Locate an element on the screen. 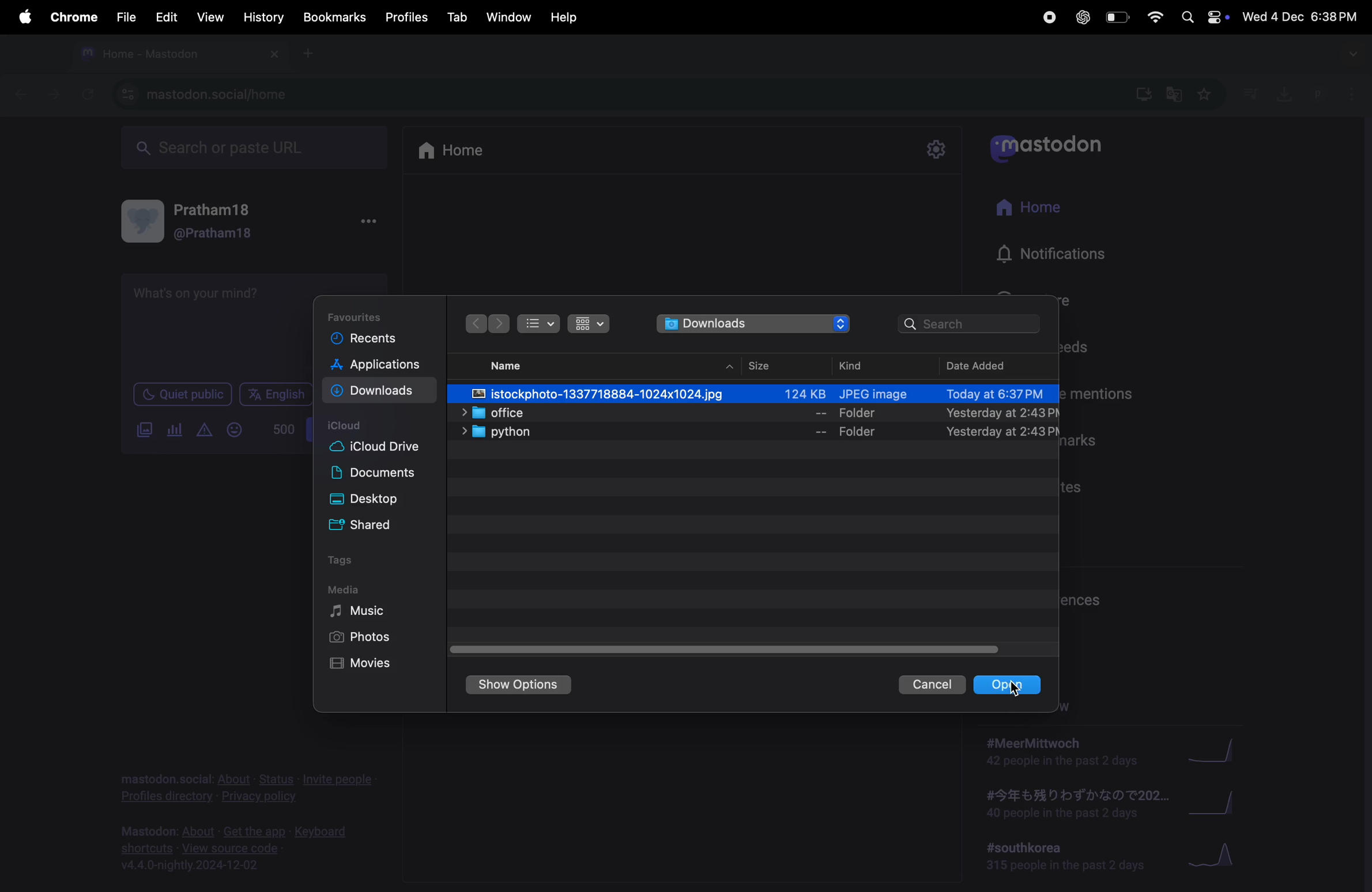  music is located at coordinates (1252, 95).